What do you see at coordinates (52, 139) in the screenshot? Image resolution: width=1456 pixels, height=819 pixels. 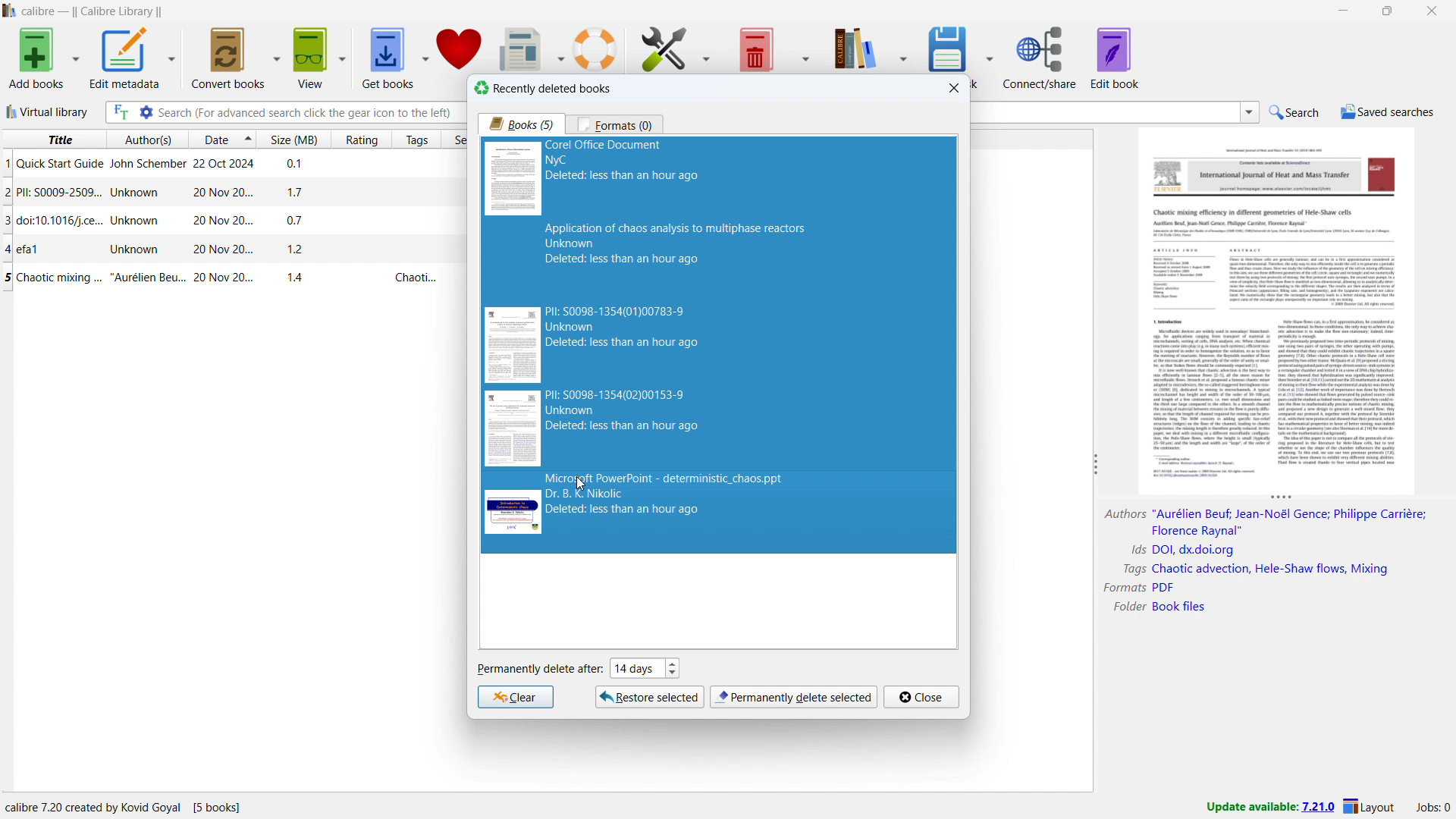 I see `sort by title` at bounding box center [52, 139].